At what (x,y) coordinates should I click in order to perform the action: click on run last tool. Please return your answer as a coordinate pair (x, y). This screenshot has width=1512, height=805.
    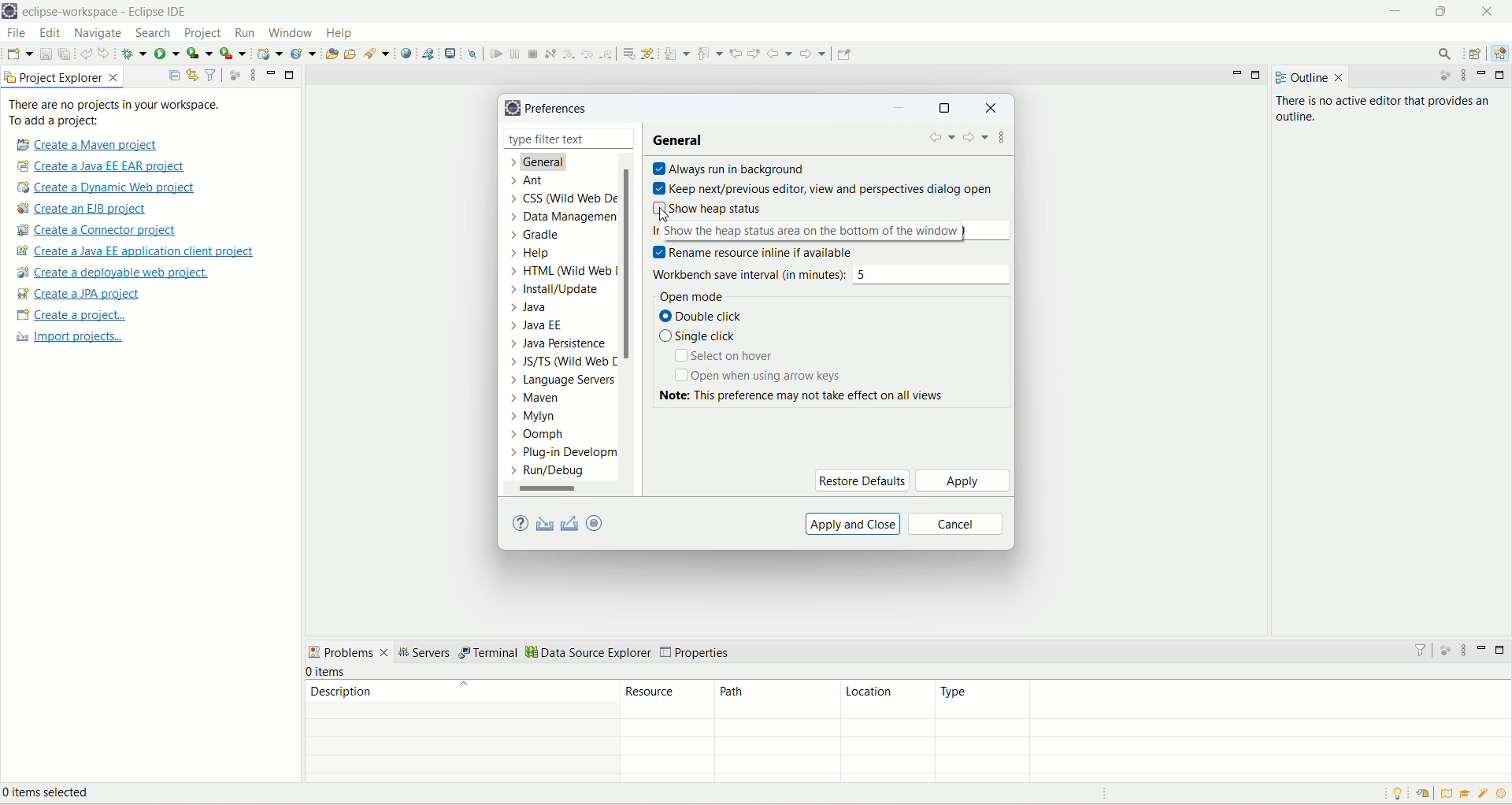
    Looking at the image, I should click on (232, 54).